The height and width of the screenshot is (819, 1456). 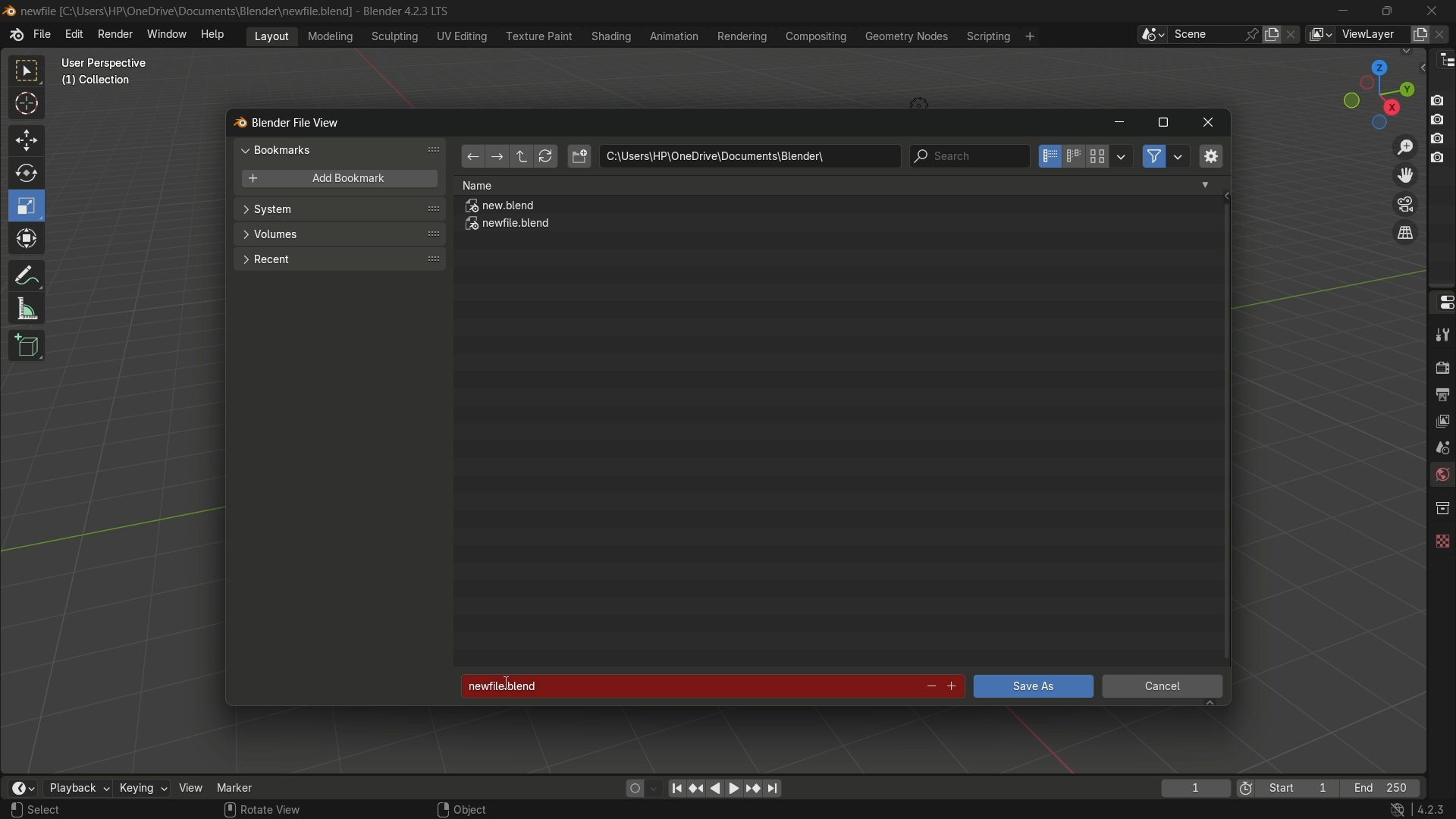 I want to click on Select, so click(x=63, y=810).